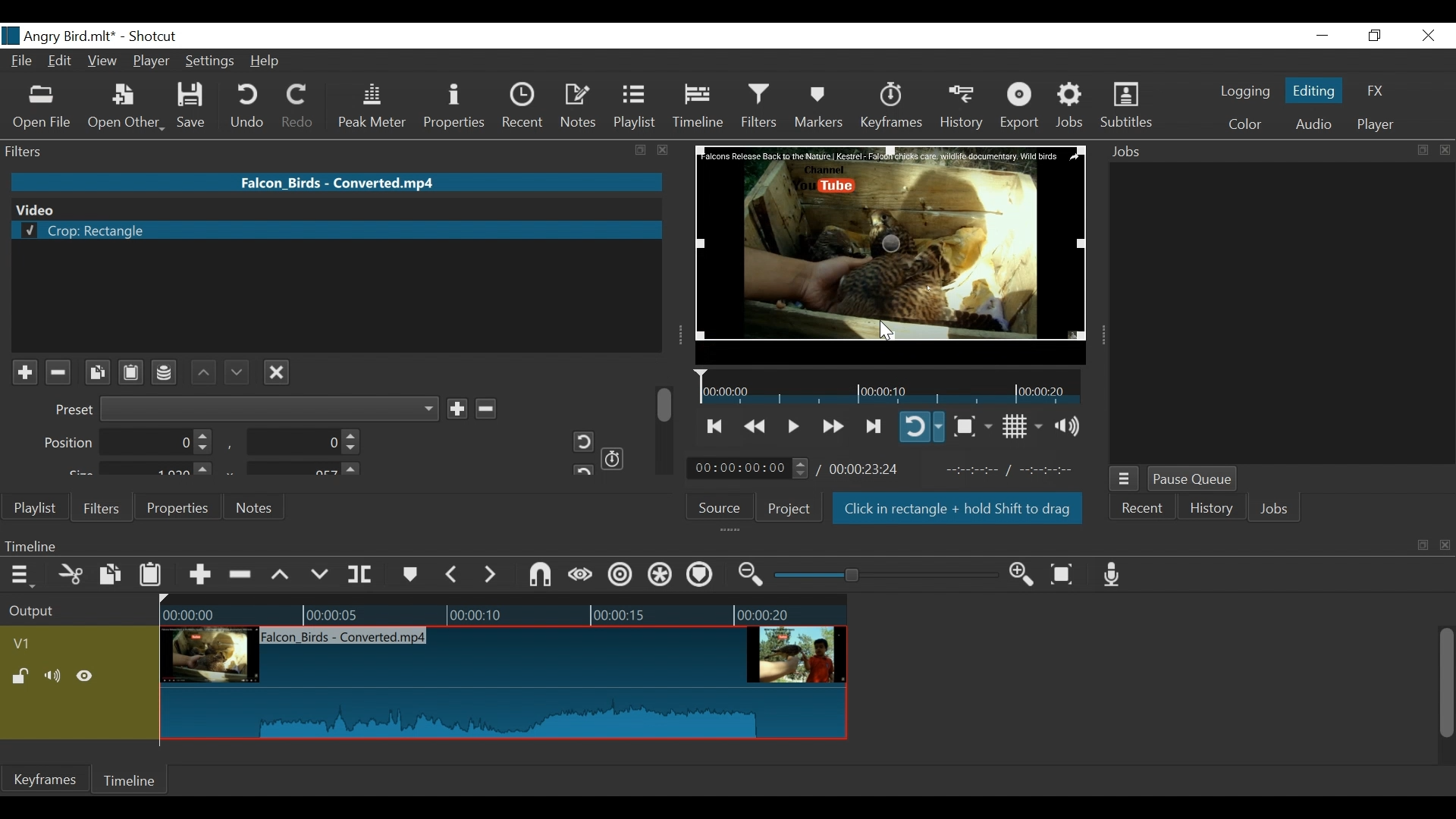 The width and height of the screenshot is (1456, 819). What do you see at coordinates (1131, 152) in the screenshot?
I see `Jobs` at bounding box center [1131, 152].